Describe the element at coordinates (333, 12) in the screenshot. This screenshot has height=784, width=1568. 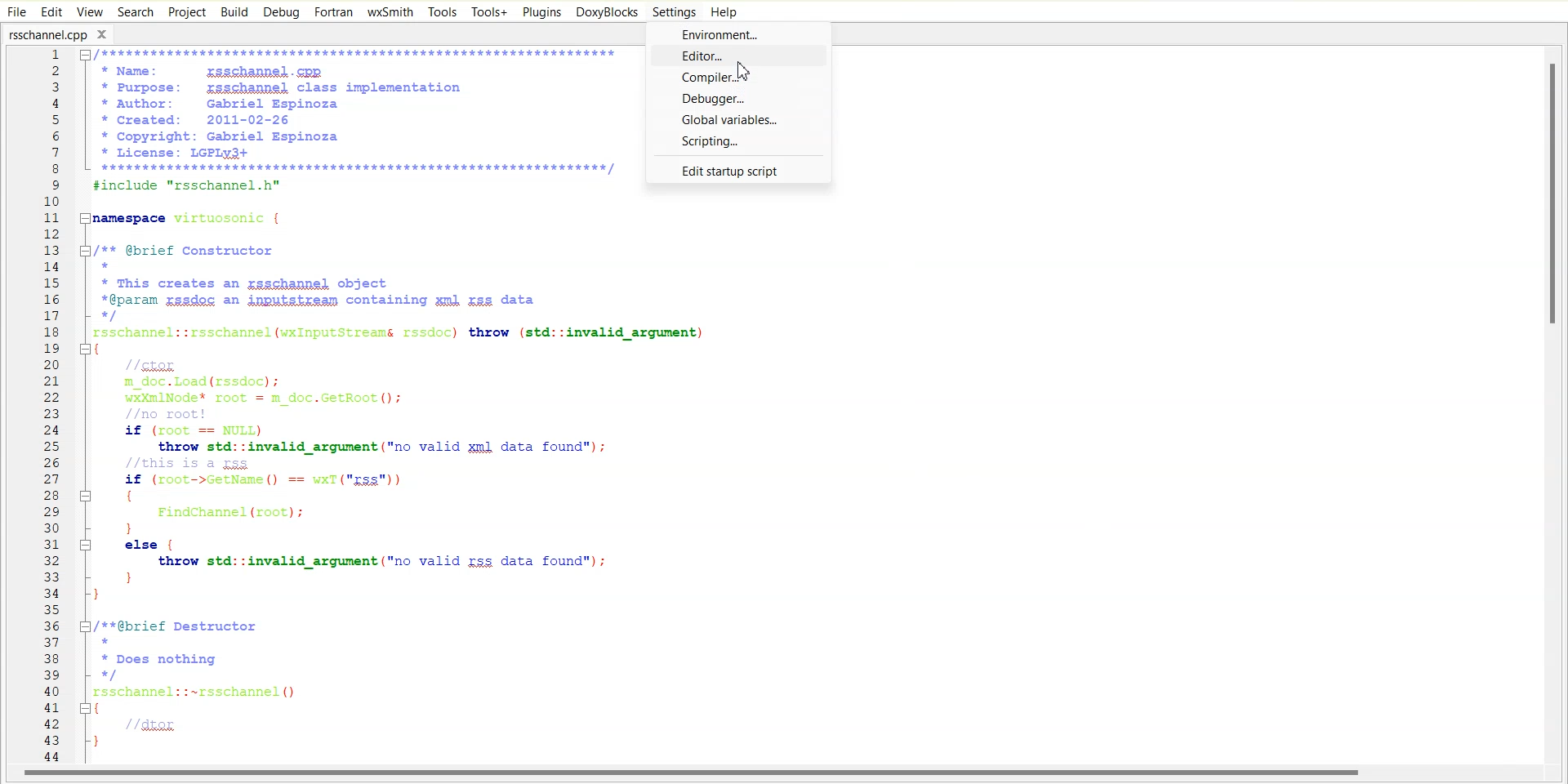
I see `Fortran` at that location.